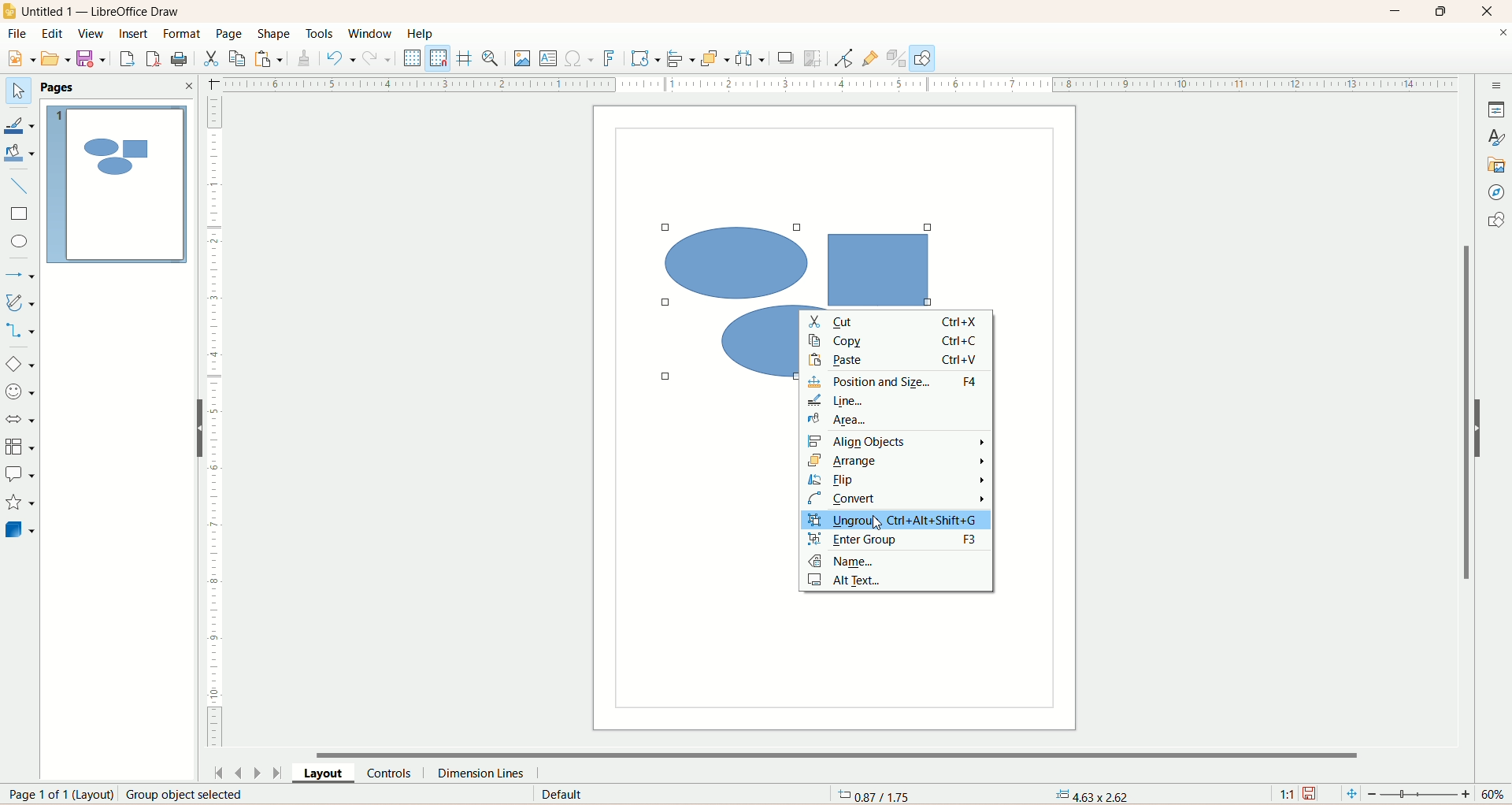  I want to click on hide, so click(199, 428).